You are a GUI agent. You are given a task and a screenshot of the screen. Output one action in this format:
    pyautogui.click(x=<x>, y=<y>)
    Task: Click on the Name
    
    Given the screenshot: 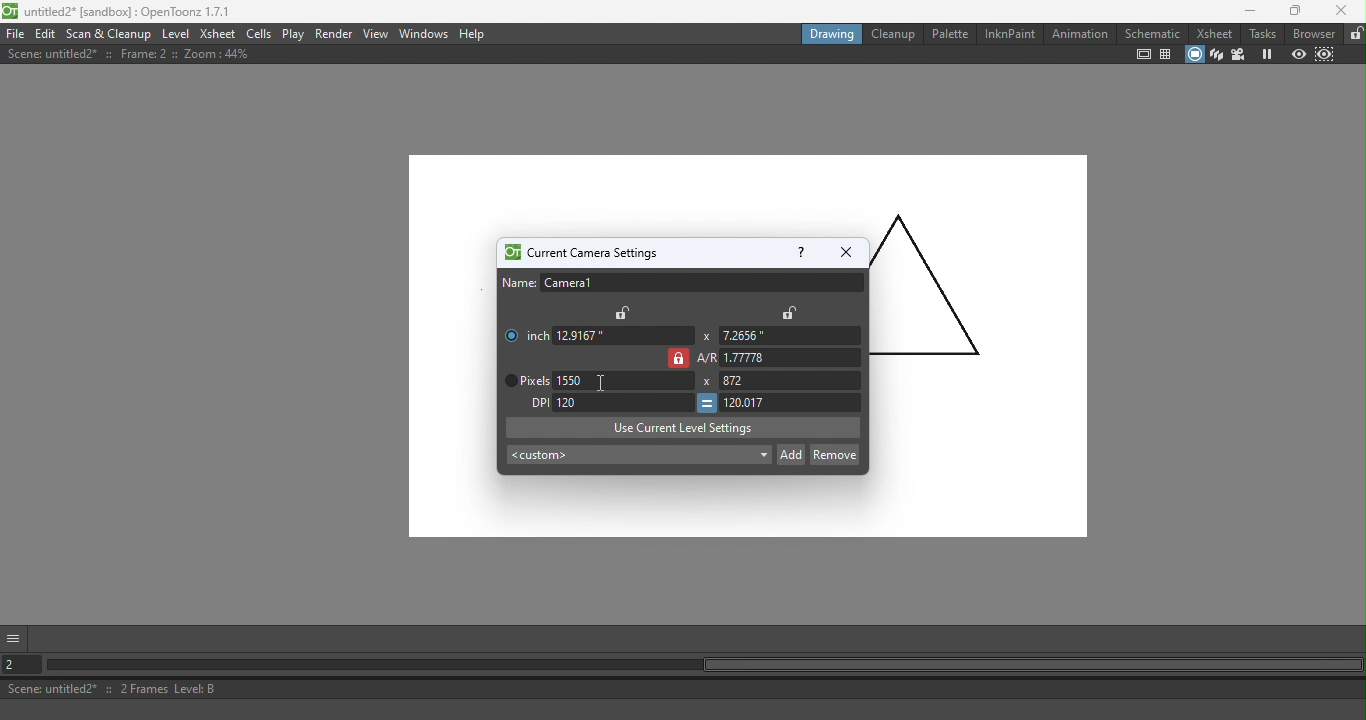 What is the action you would take?
    pyautogui.click(x=682, y=283)
    